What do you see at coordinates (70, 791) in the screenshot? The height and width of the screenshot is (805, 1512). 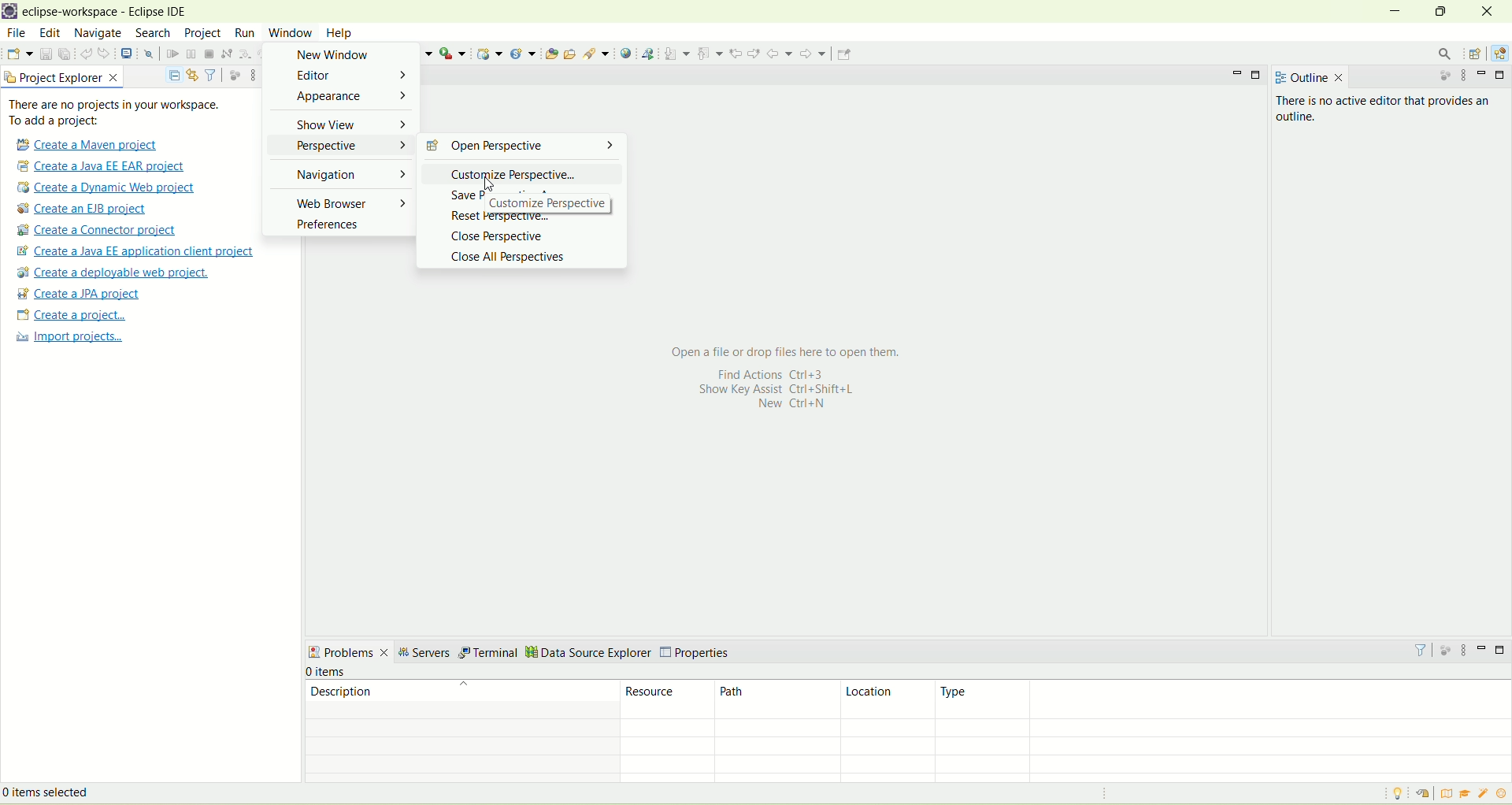 I see `items selected` at bounding box center [70, 791].